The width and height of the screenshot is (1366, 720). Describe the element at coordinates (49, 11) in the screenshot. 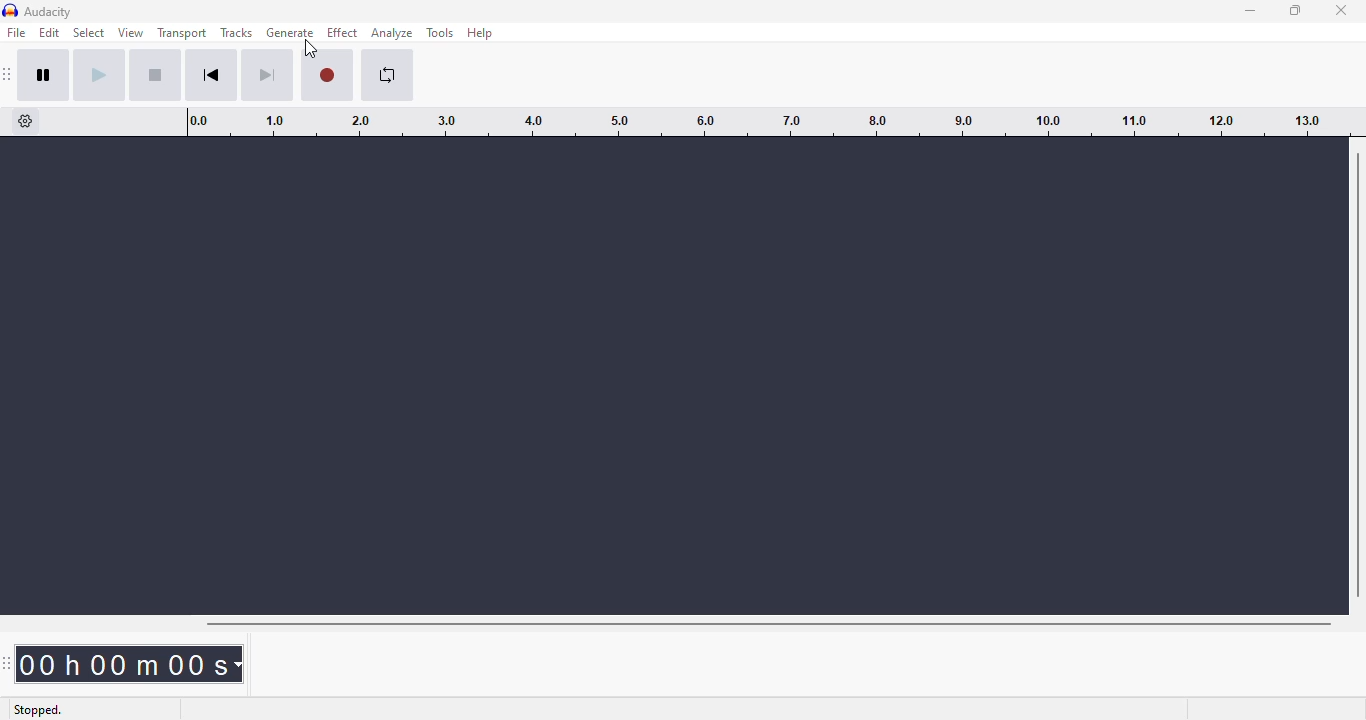

I see `audacity` at that location.